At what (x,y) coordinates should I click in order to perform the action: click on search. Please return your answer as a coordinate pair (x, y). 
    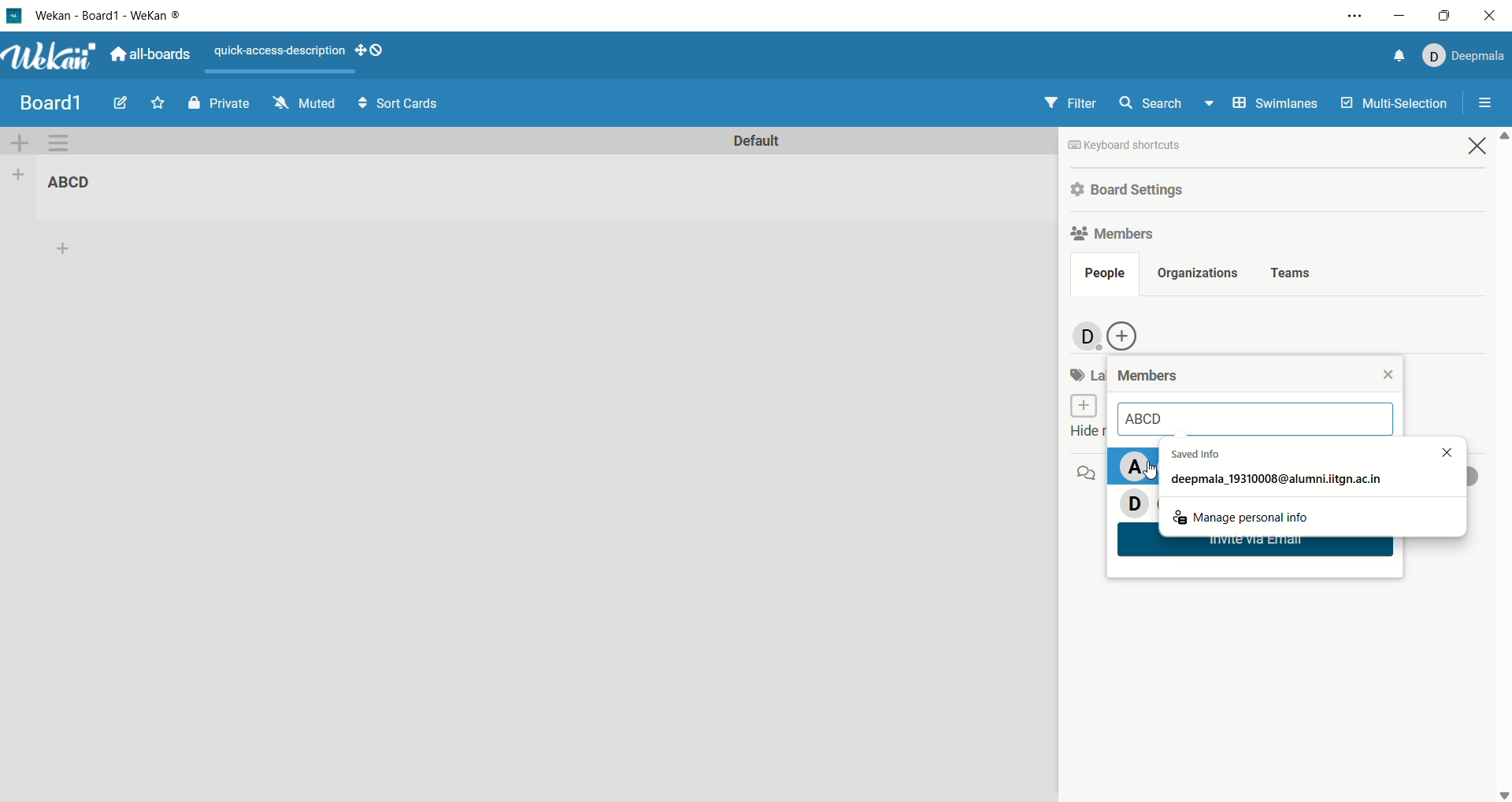
    Looking at the image, I should click on (1169, 102).